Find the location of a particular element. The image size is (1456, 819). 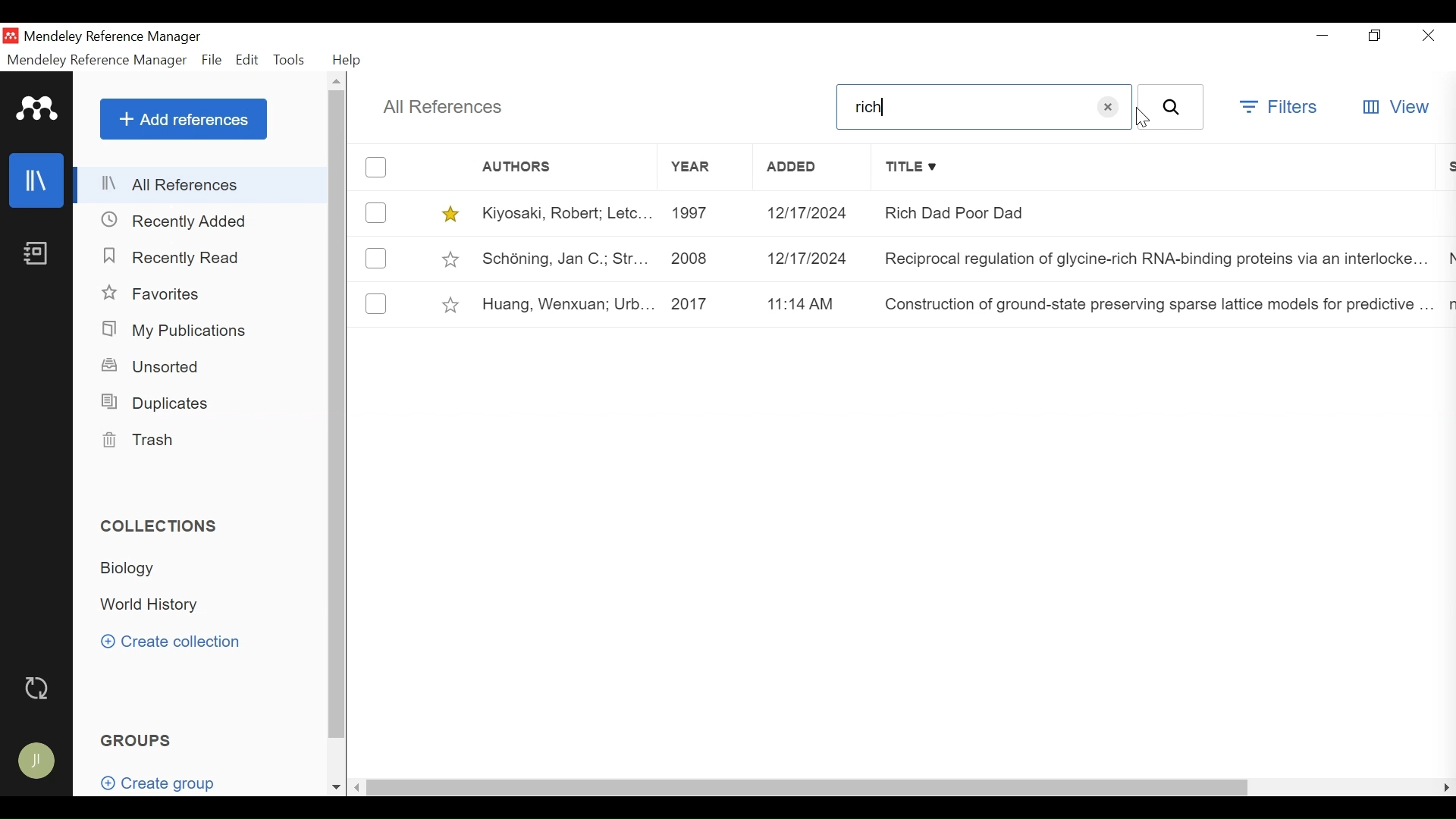

Groups is located at coordinates (138, 739).